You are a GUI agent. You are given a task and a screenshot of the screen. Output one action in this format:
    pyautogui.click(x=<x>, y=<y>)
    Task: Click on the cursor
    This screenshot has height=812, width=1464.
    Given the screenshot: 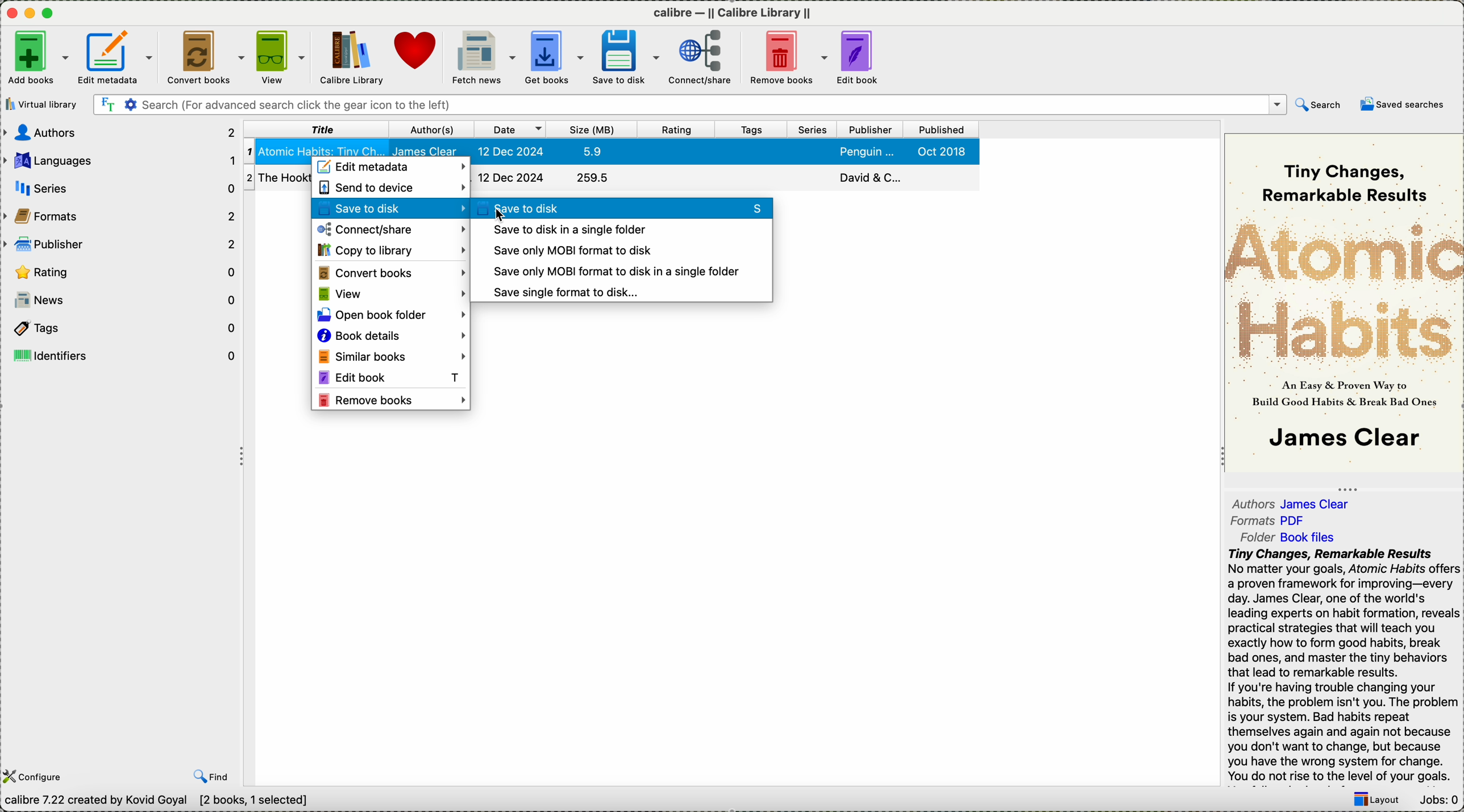 What is the action you would take?
    pyautogui.click(x=498, y=211)
    